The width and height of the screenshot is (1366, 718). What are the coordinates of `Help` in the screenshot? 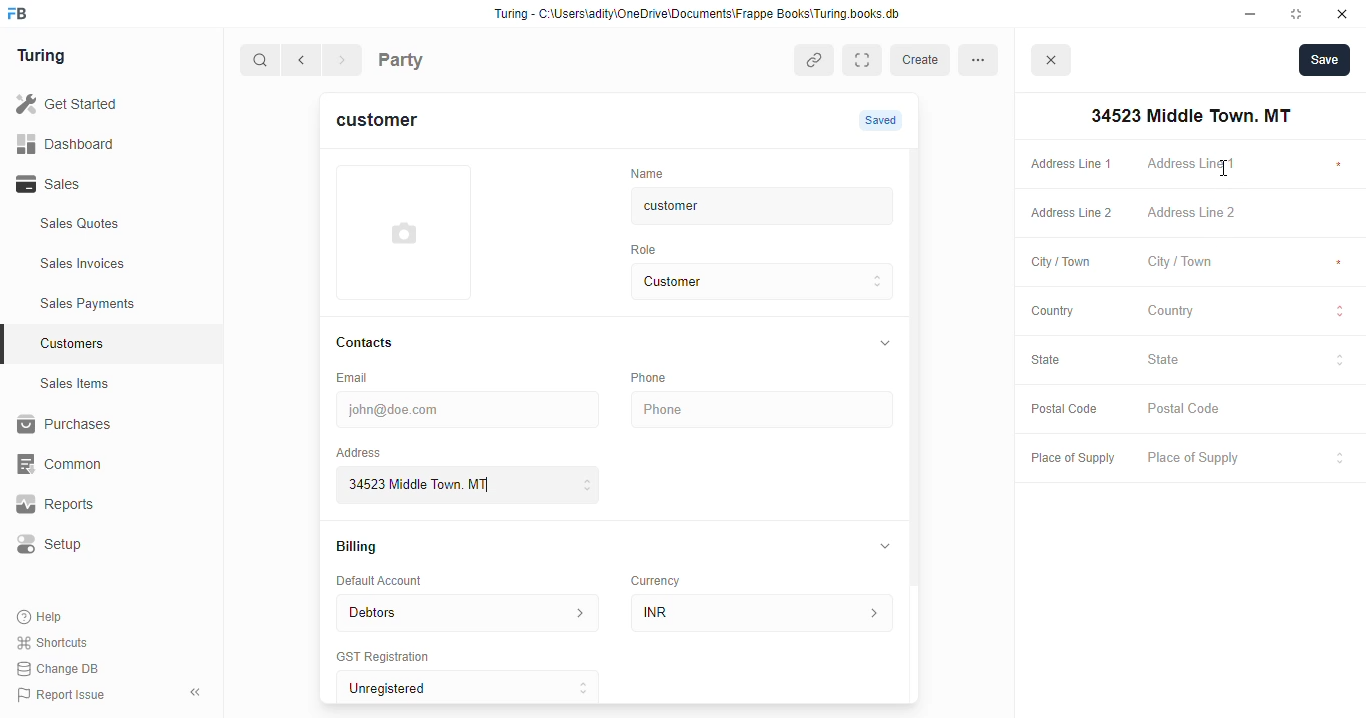 It's located at (42, 618).